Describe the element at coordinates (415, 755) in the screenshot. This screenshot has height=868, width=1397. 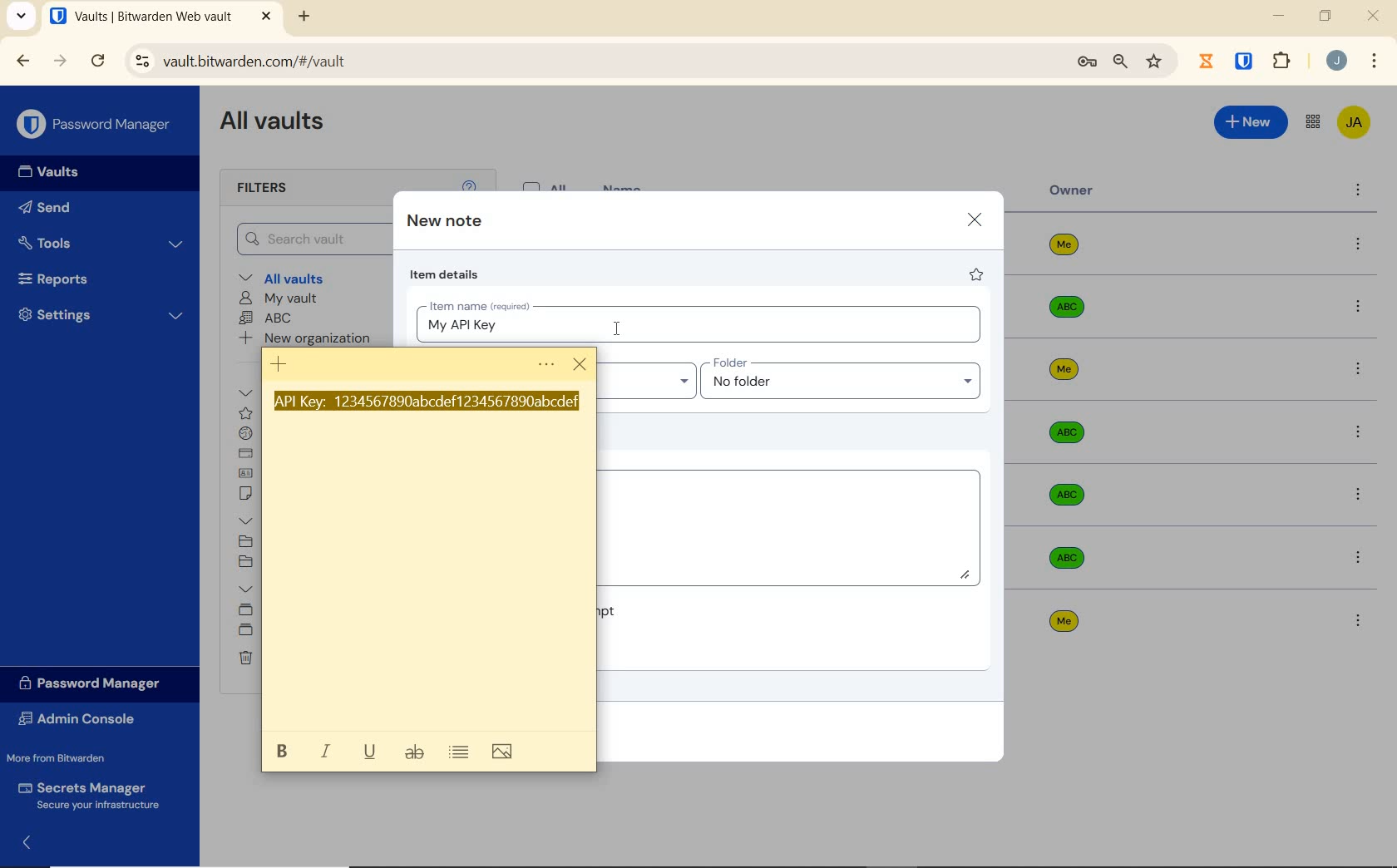
I see `strikethrough` at that location.